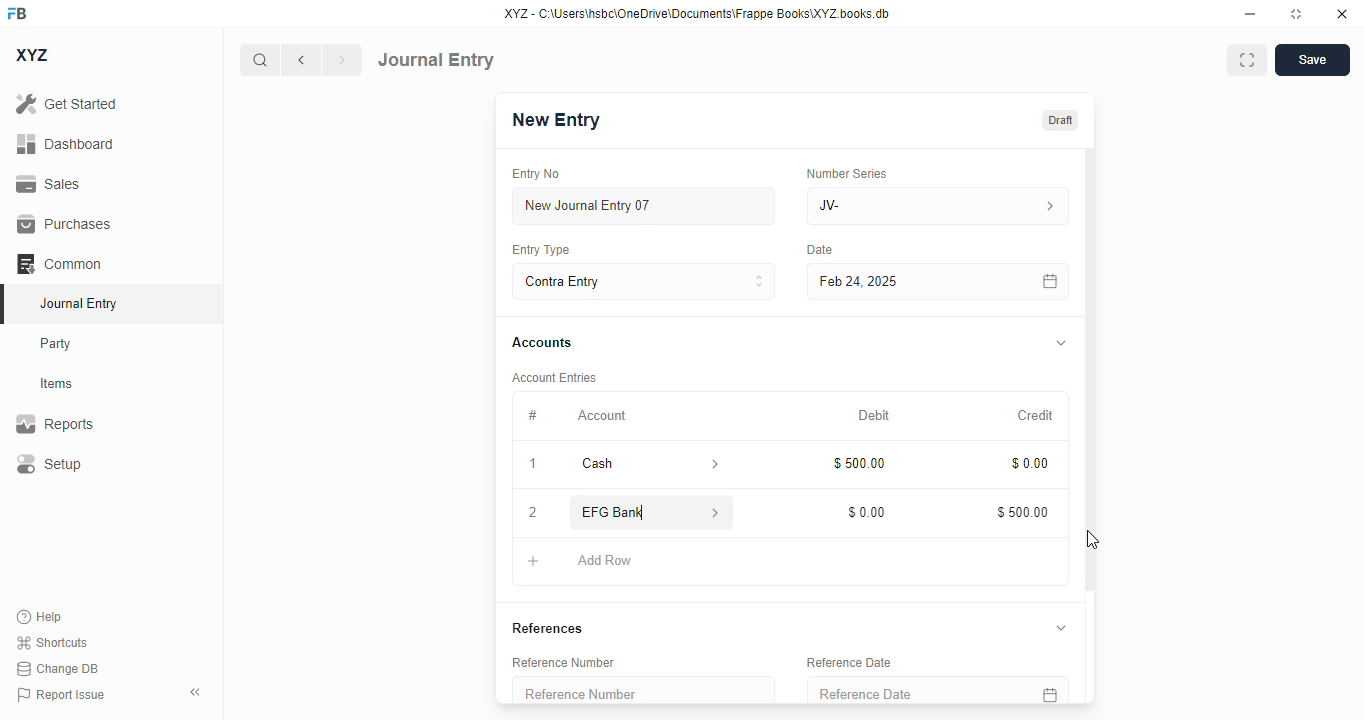 The width and height of the screenshot is (1364, 720). I want to click on references, so click(548, 628).